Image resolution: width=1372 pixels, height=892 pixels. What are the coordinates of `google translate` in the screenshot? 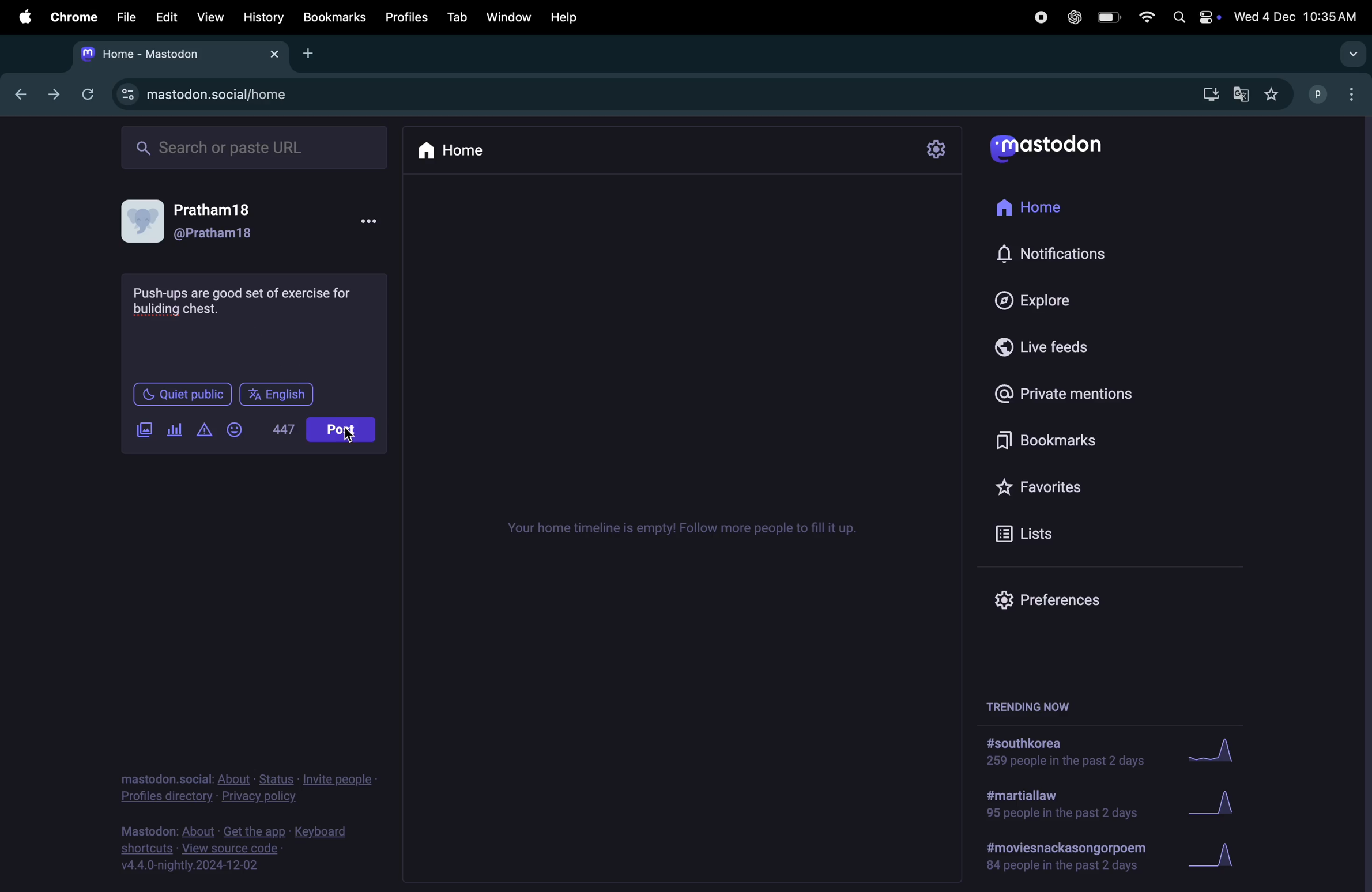 It's located at (1239, 94).